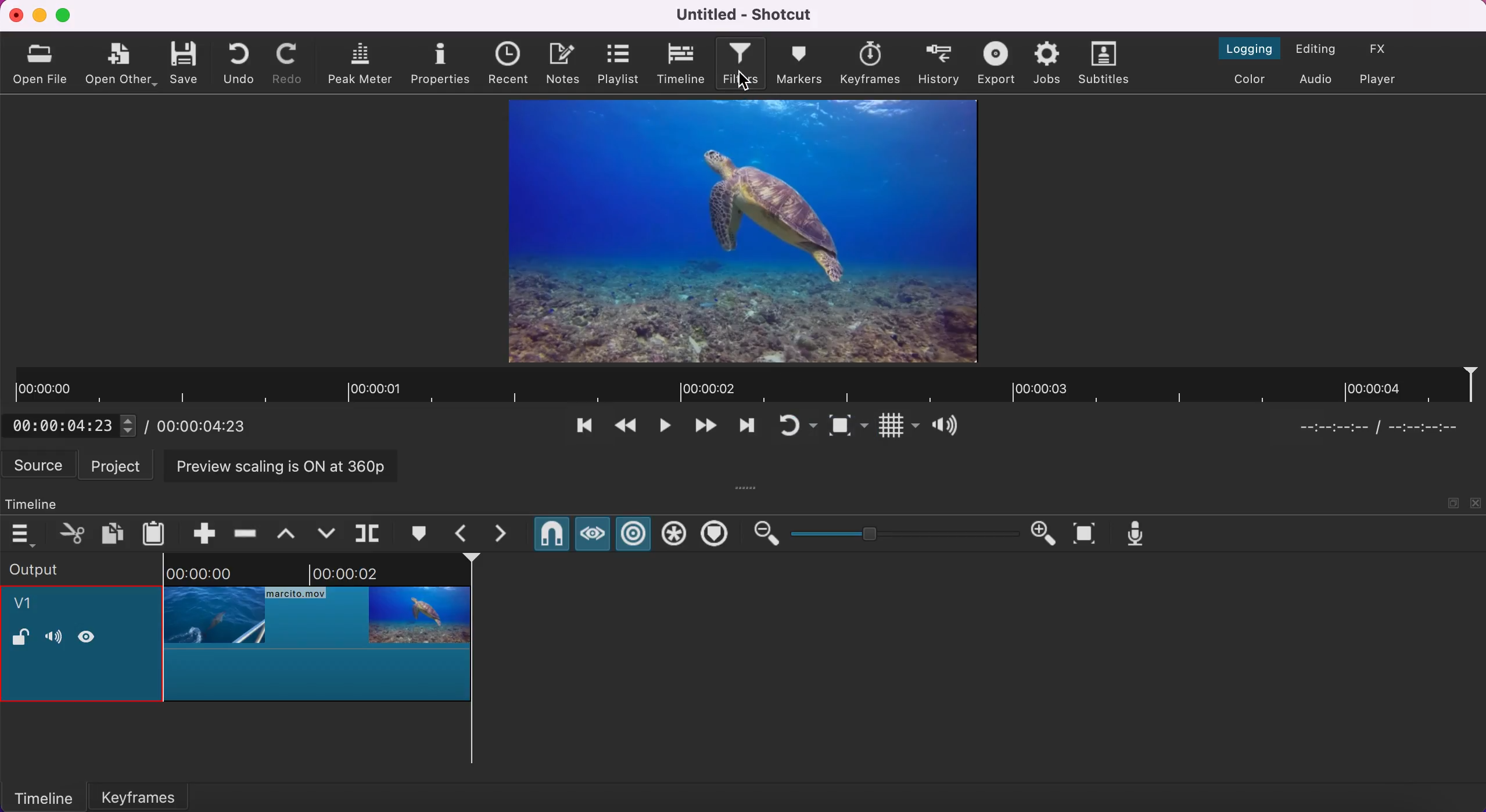 This screenshot has height=812, width=1486. I want to click on playlist, so click(618, 63).